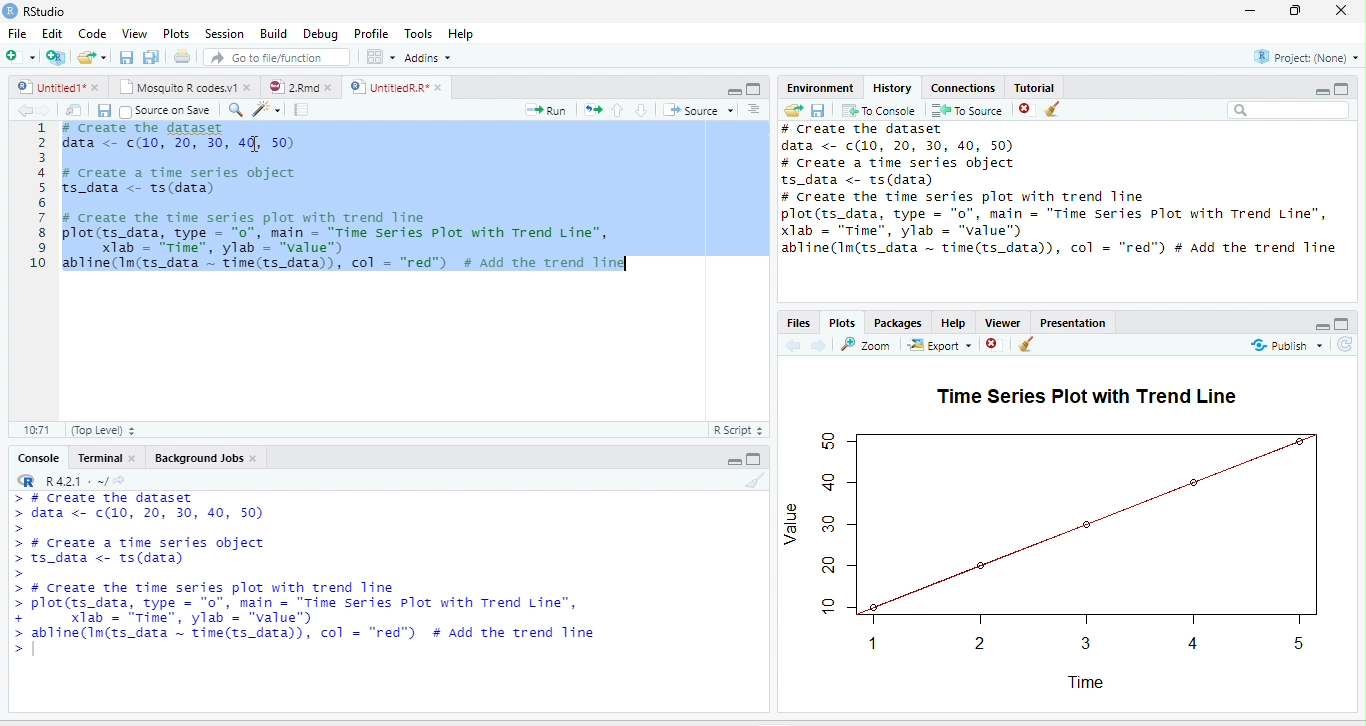 This screenshot has width=1366, height=726. I want to click on Project: (None), so click(1304, 57).